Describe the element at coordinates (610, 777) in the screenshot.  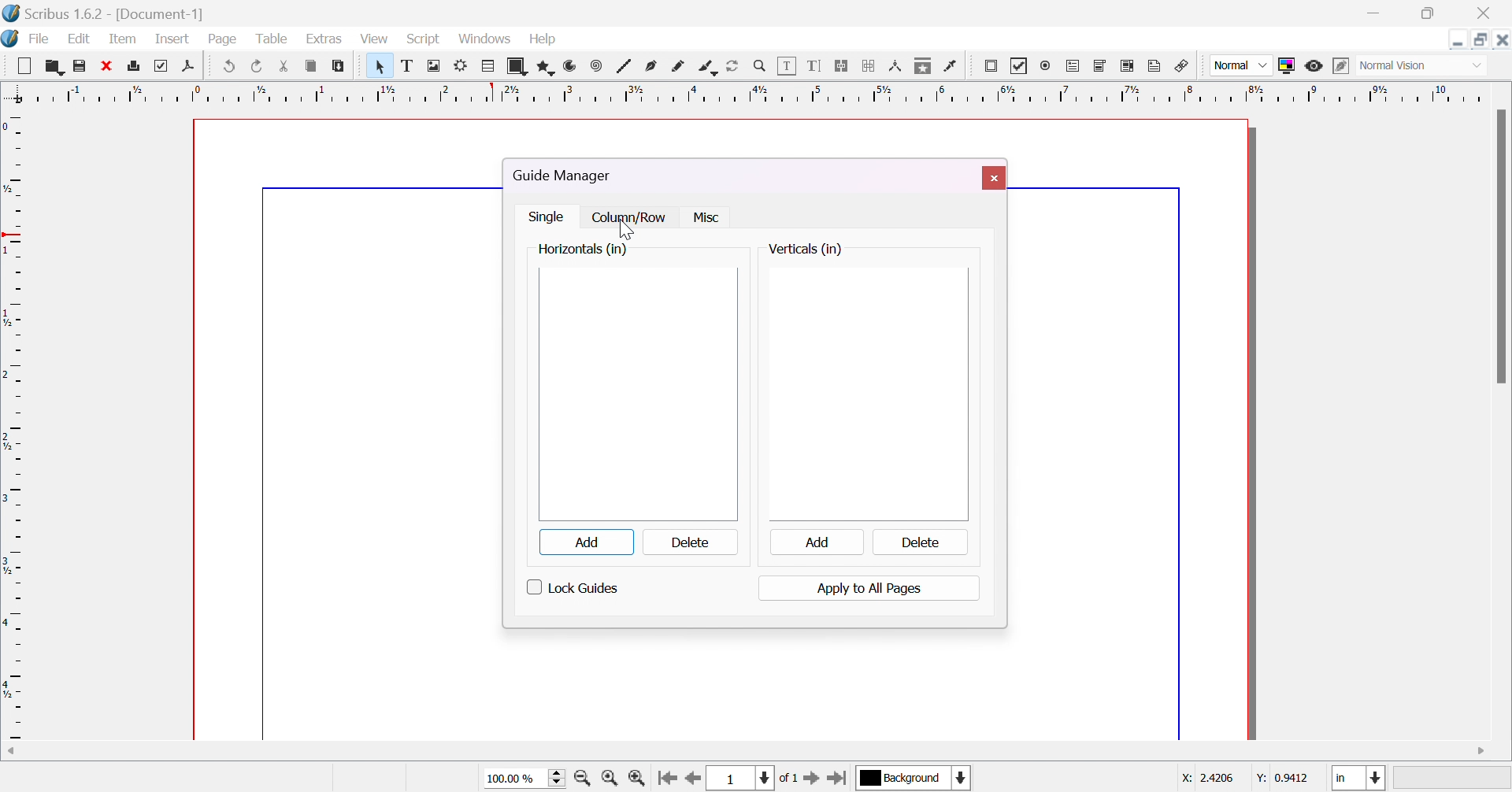
I see `zoom to 100%` at that location.